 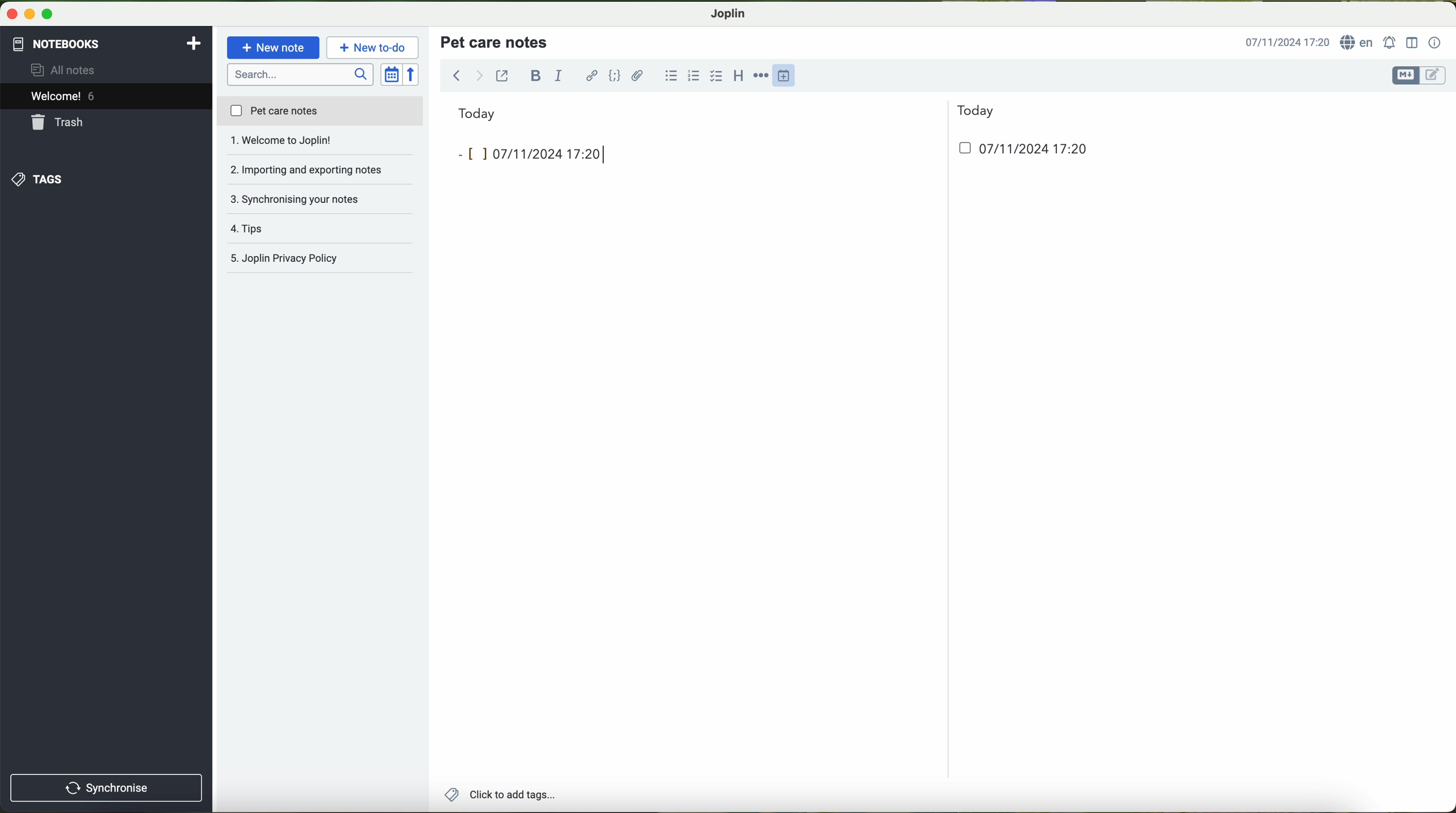 I want to click on numbered list, so click(x=692, y=76).